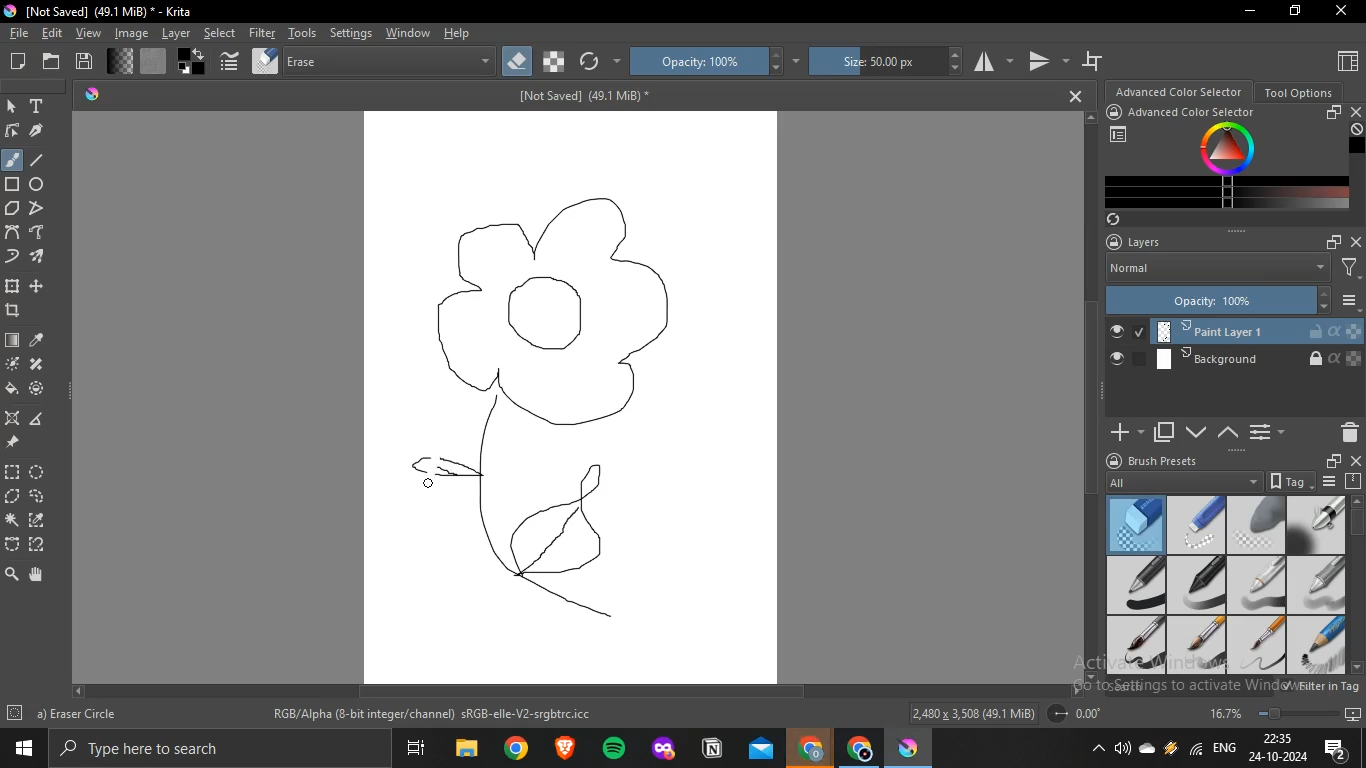  Describe the element at coordinates (1322, 524) in the screenshot. I see `airbrush soft` at that location.